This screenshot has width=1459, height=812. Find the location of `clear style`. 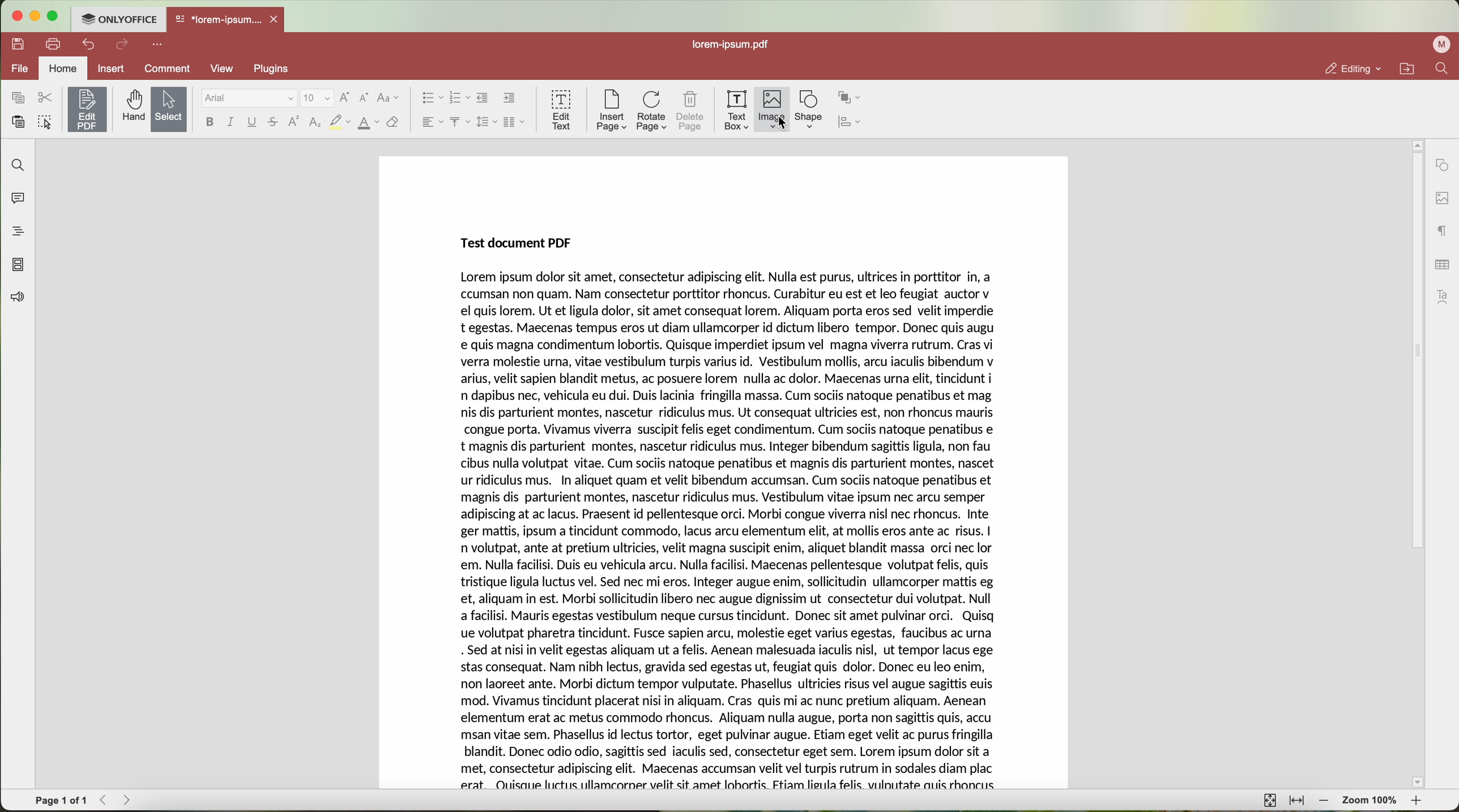

clear style is located at coordinates (393, 123).